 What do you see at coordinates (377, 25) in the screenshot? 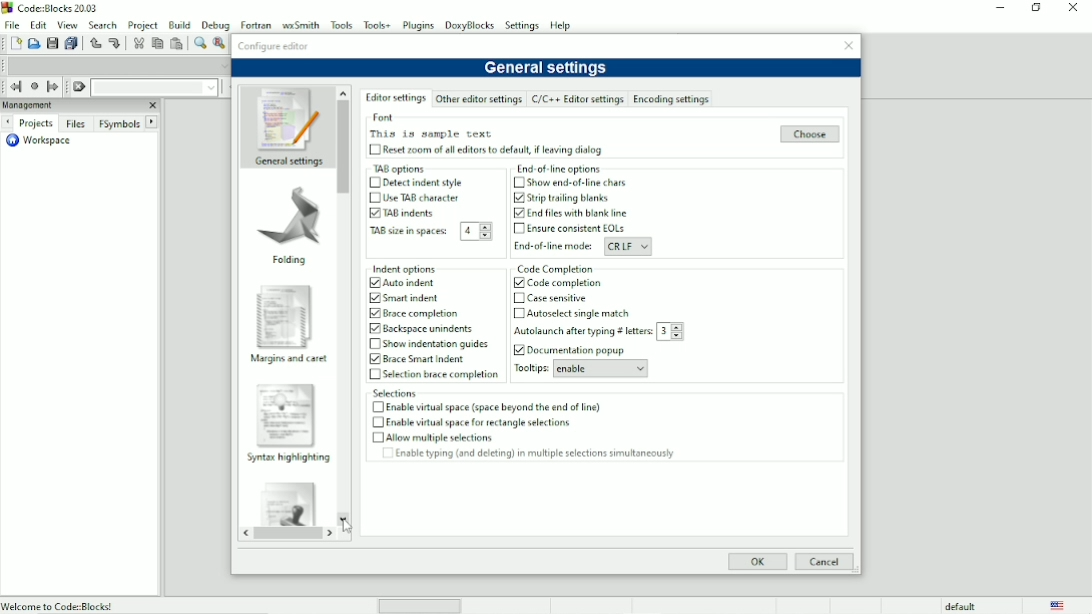
I see `Tools+` at bounding box center [377, 25].